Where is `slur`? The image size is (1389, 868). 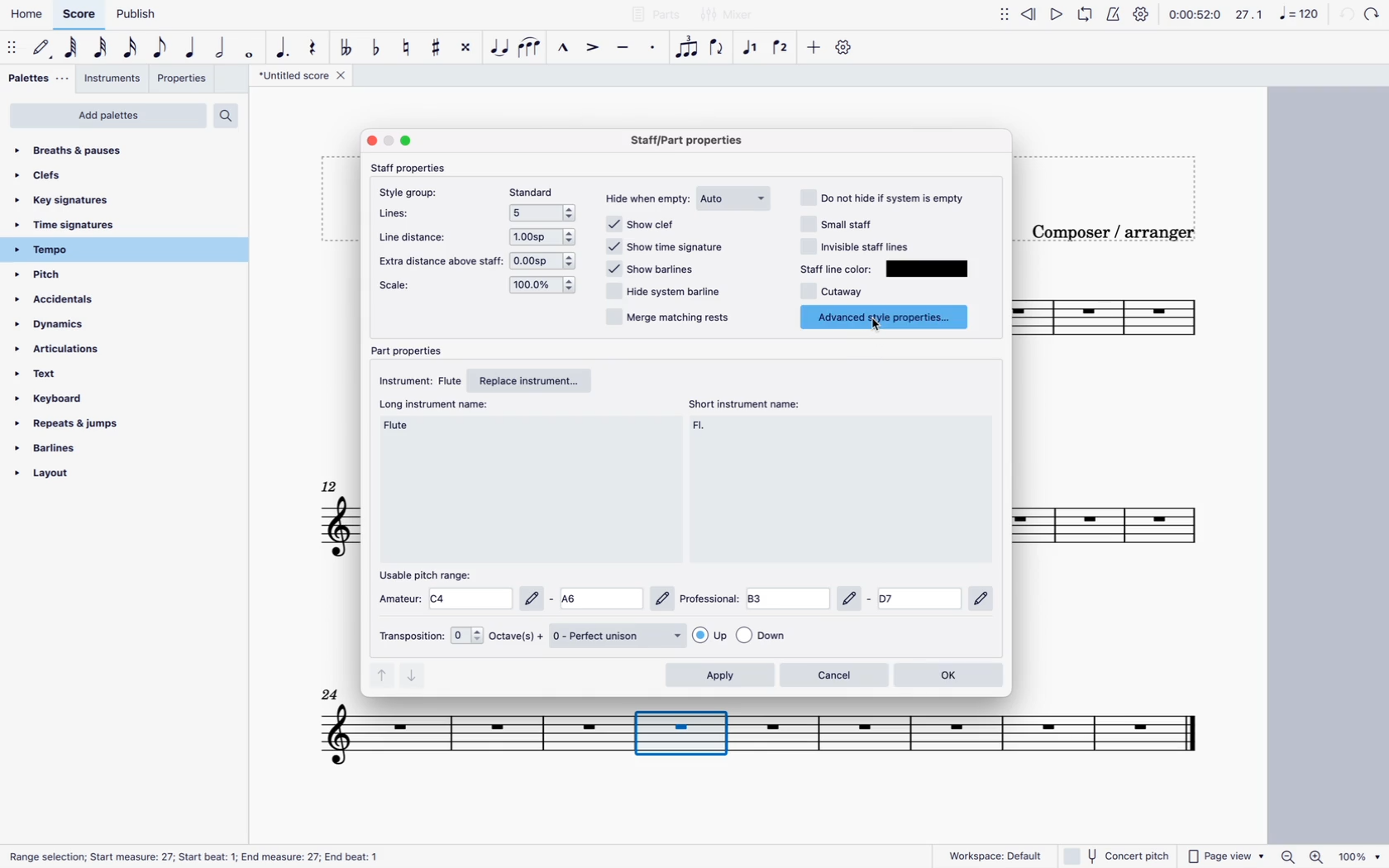 slur is located at coordinates (532, 48).